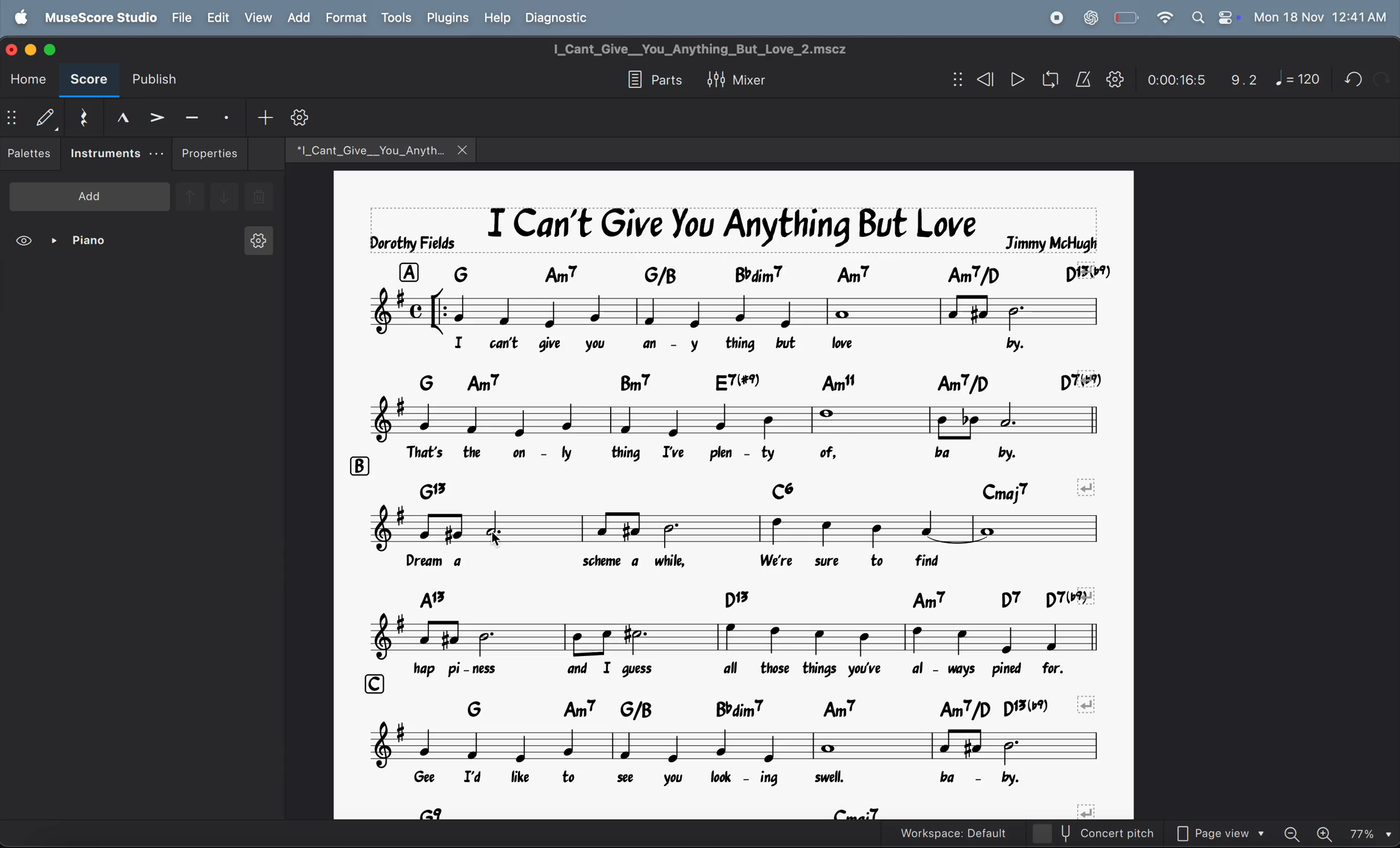  Describe the element at coordinates (755, 382) in the screenshot. I see `chord symbols` at that location.